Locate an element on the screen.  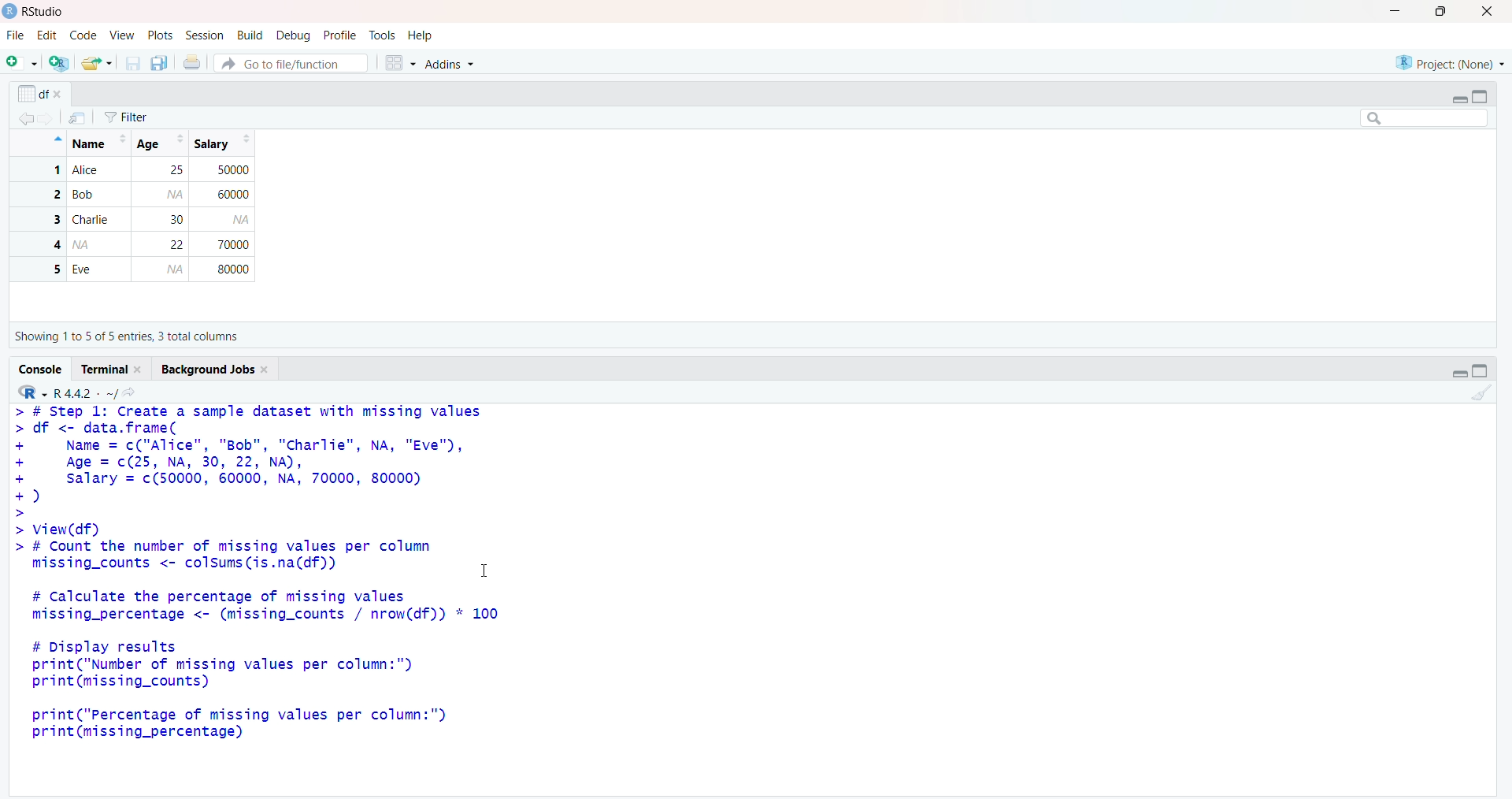
Show in new window is located at coordinates (82, 117).